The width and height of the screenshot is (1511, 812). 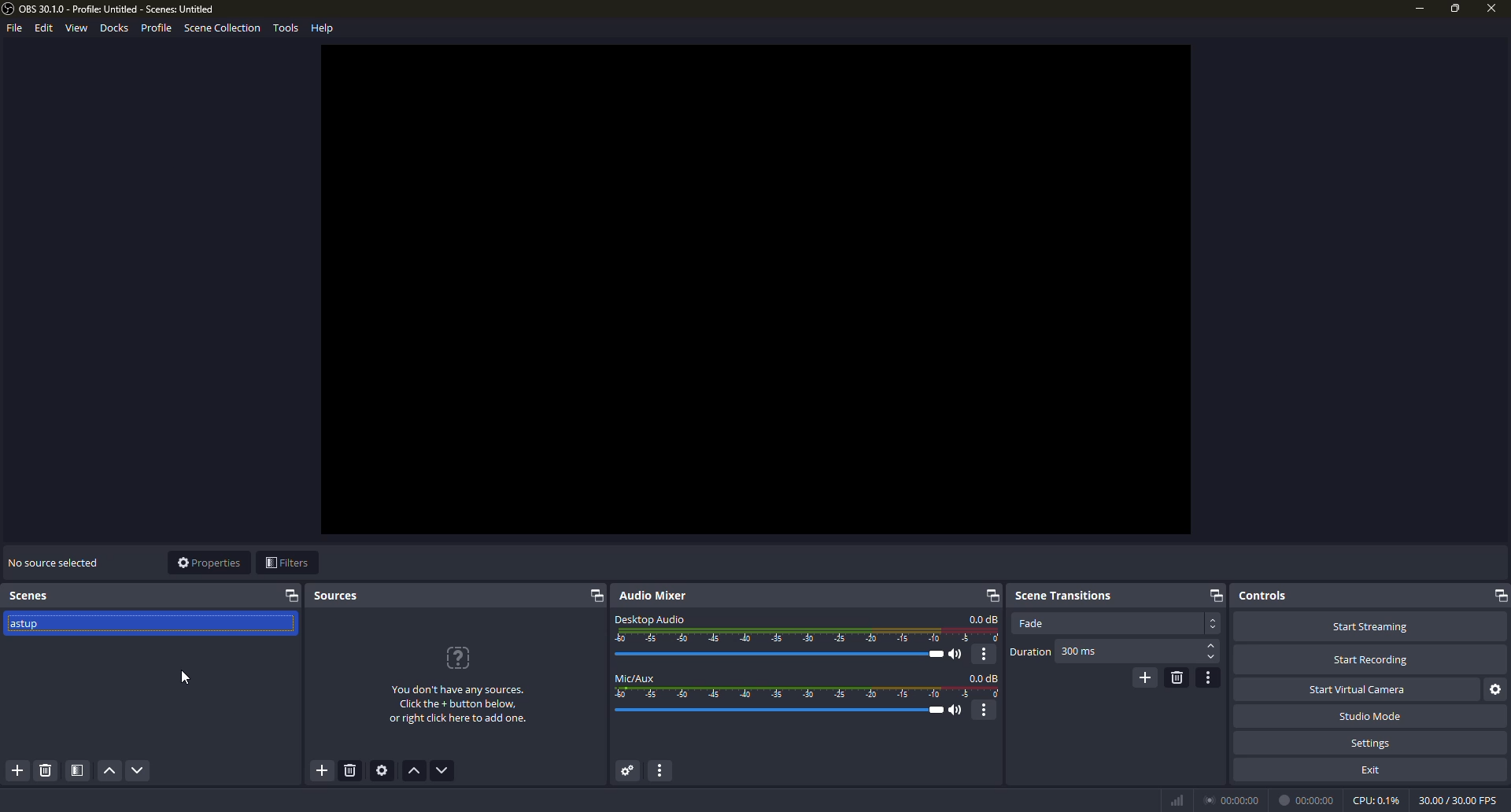 What do you see at coordinates (1372, 769) in the screenshot?
I see `exit` at bounding box center [1372, 769].